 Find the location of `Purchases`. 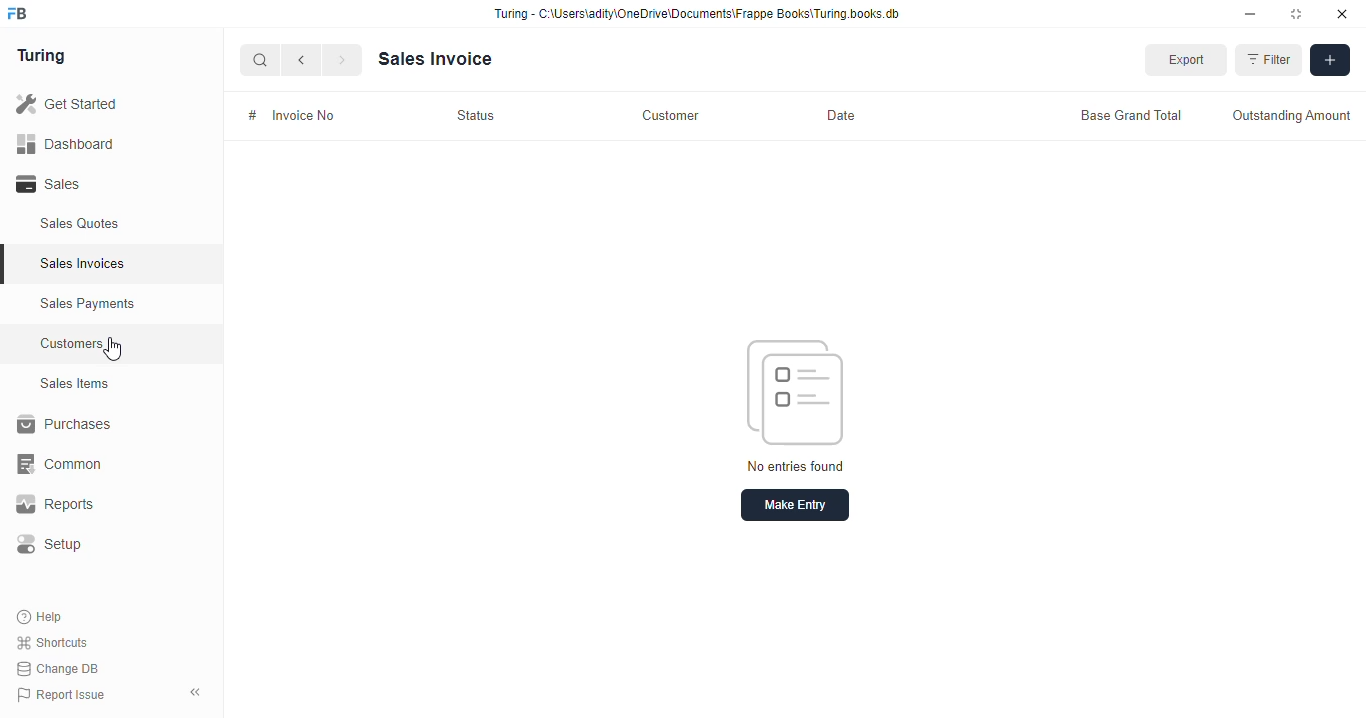

Purchases is located at coordinates (100, 427).